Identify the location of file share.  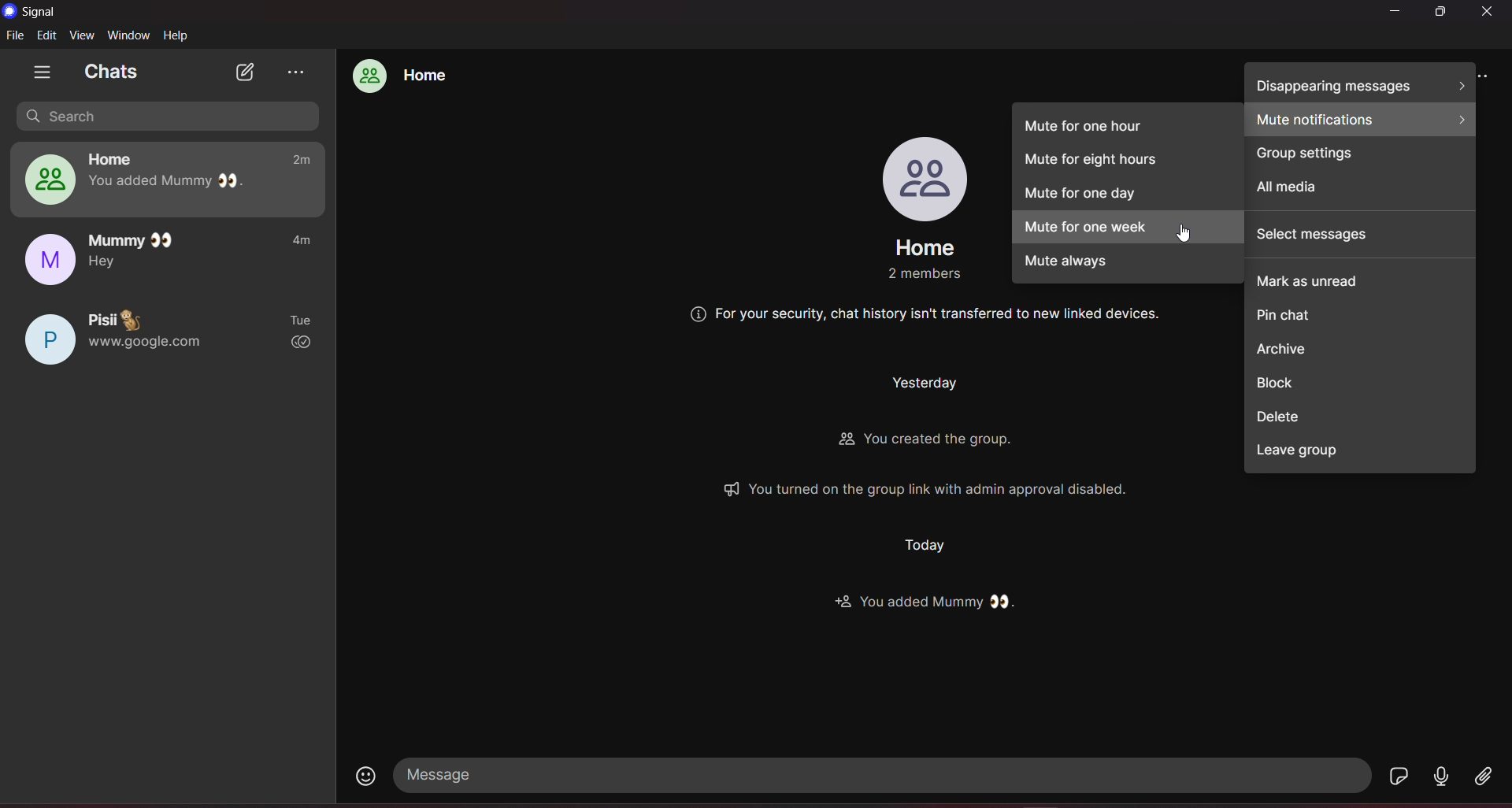
(1482, 776).